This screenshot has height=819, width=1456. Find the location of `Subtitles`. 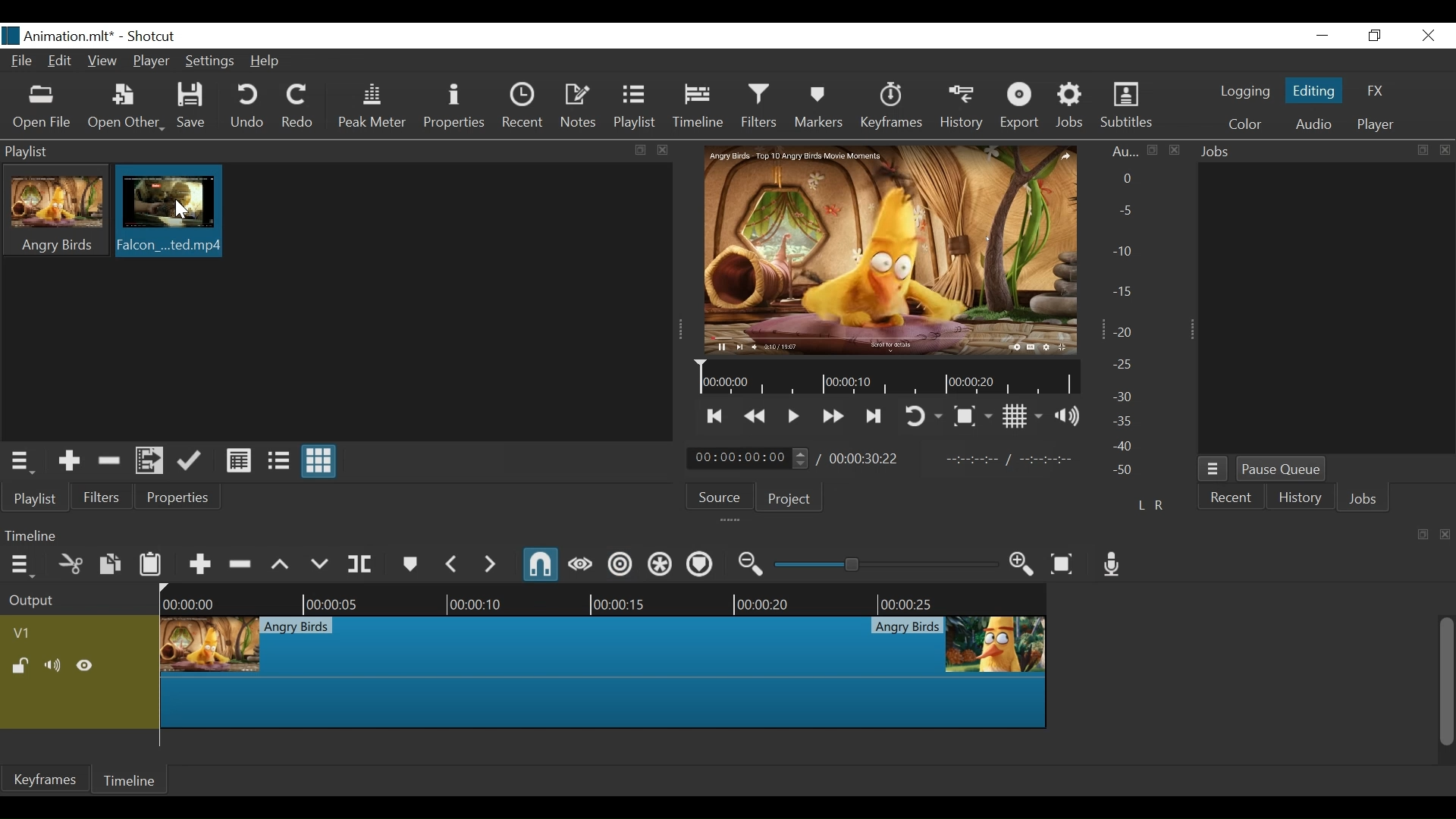

Subtitles is located at coordinates (1129, 105).